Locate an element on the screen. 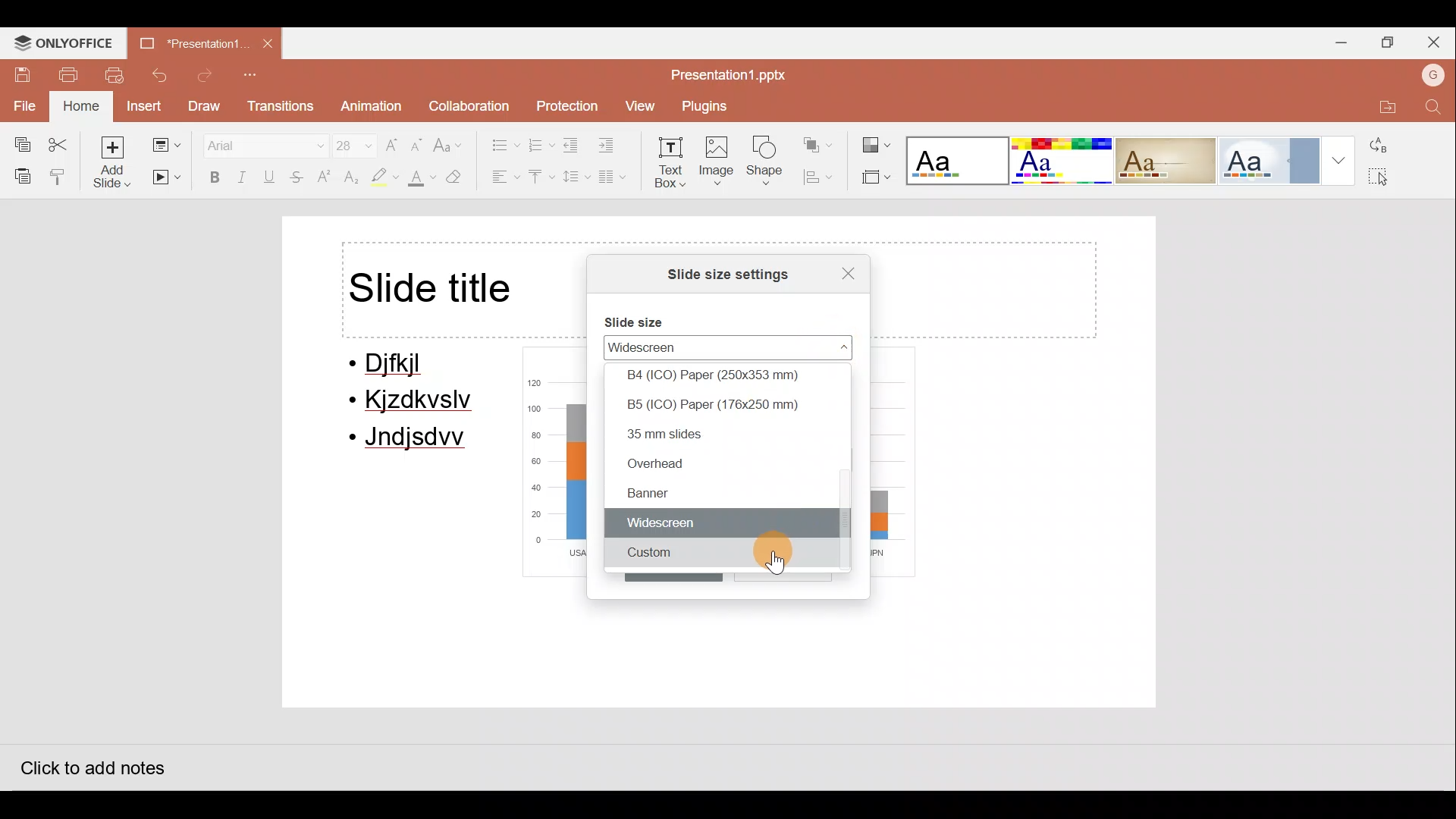 The image size is (1456, 819). Protection is located at coordinates (564, 101).